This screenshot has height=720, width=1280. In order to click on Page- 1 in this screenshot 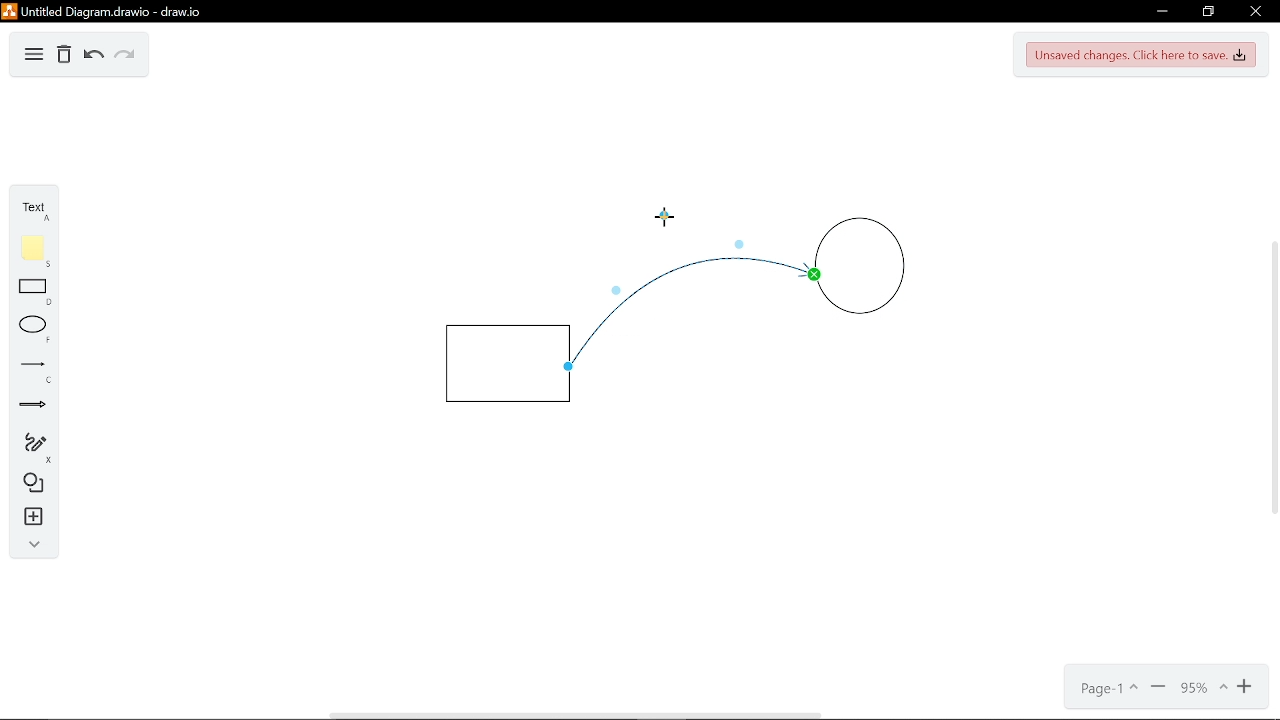, I will do `click(1107, 690)`.